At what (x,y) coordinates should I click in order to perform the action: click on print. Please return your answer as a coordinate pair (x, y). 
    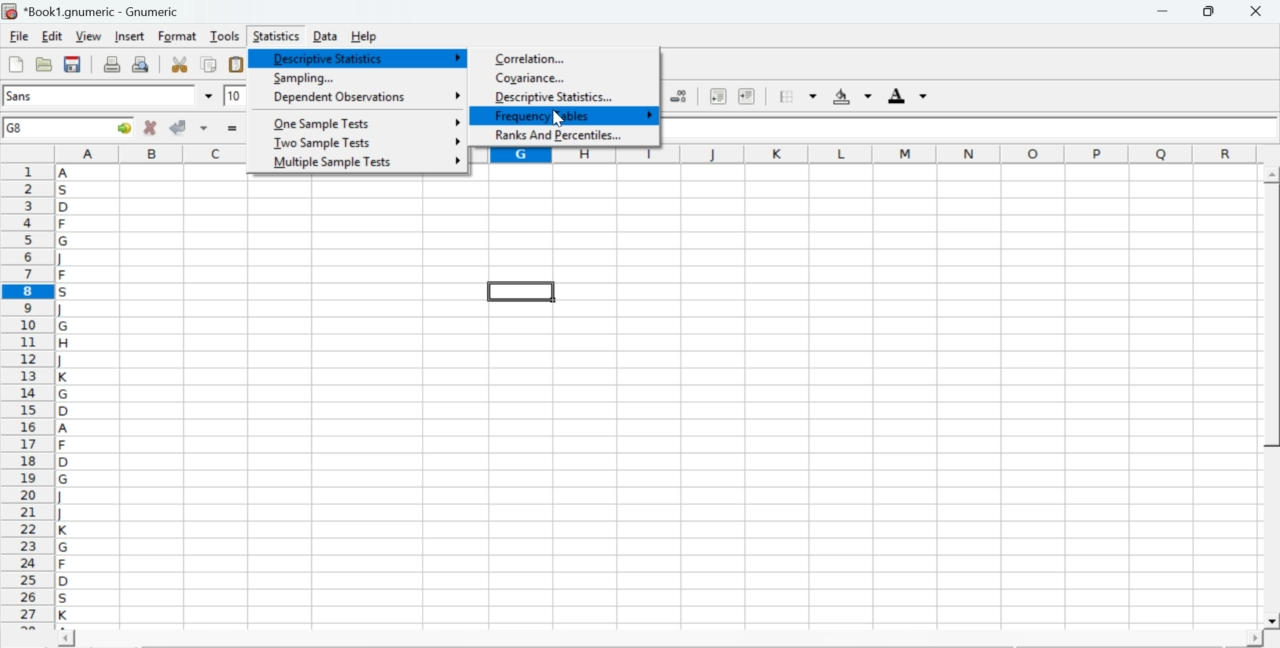
    Looking at the image, I should click on (112, 63).